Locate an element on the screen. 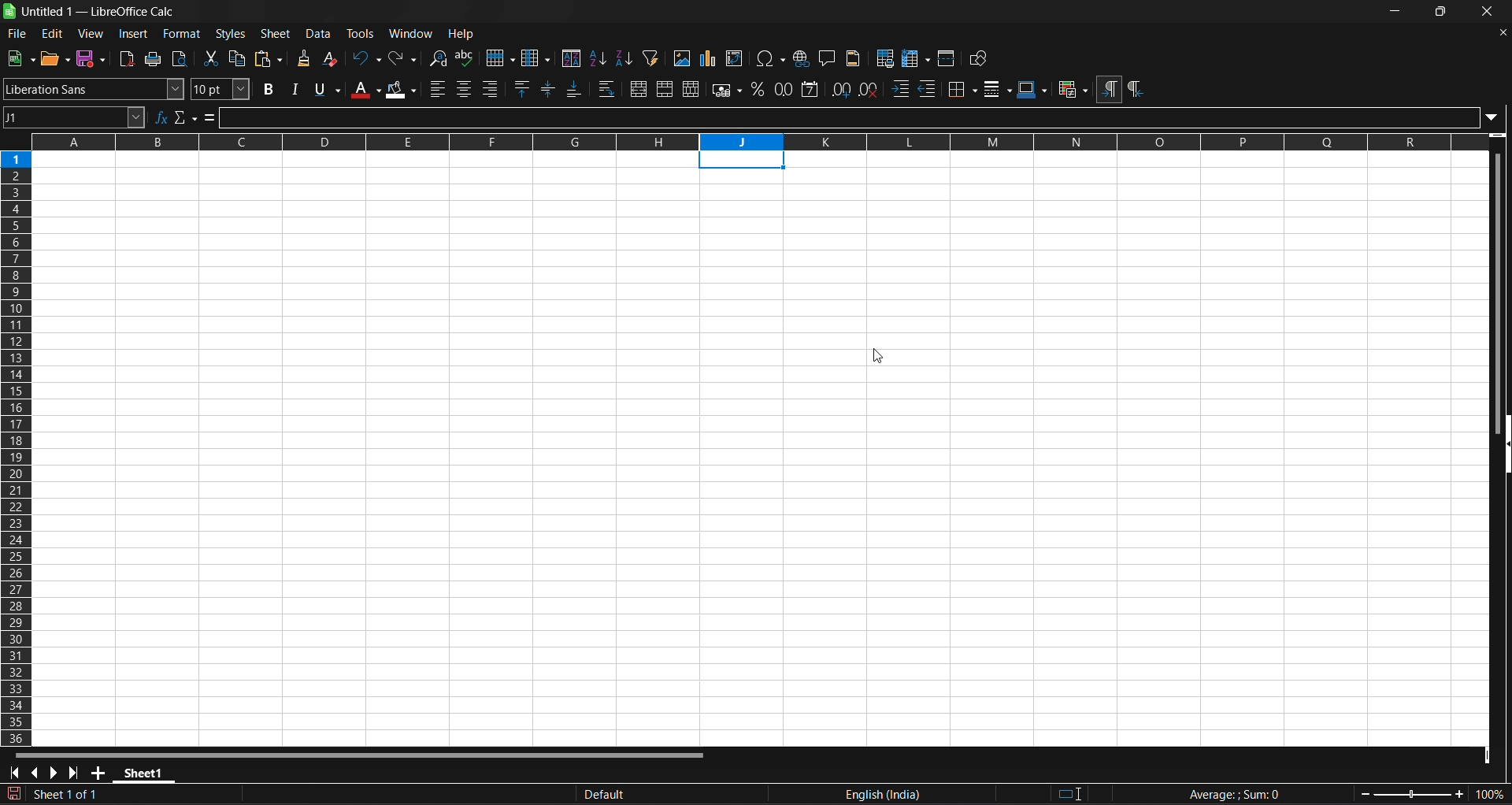 The height and width of the screenshot is (805, 1512). sort is located at coordinates (570, 57).